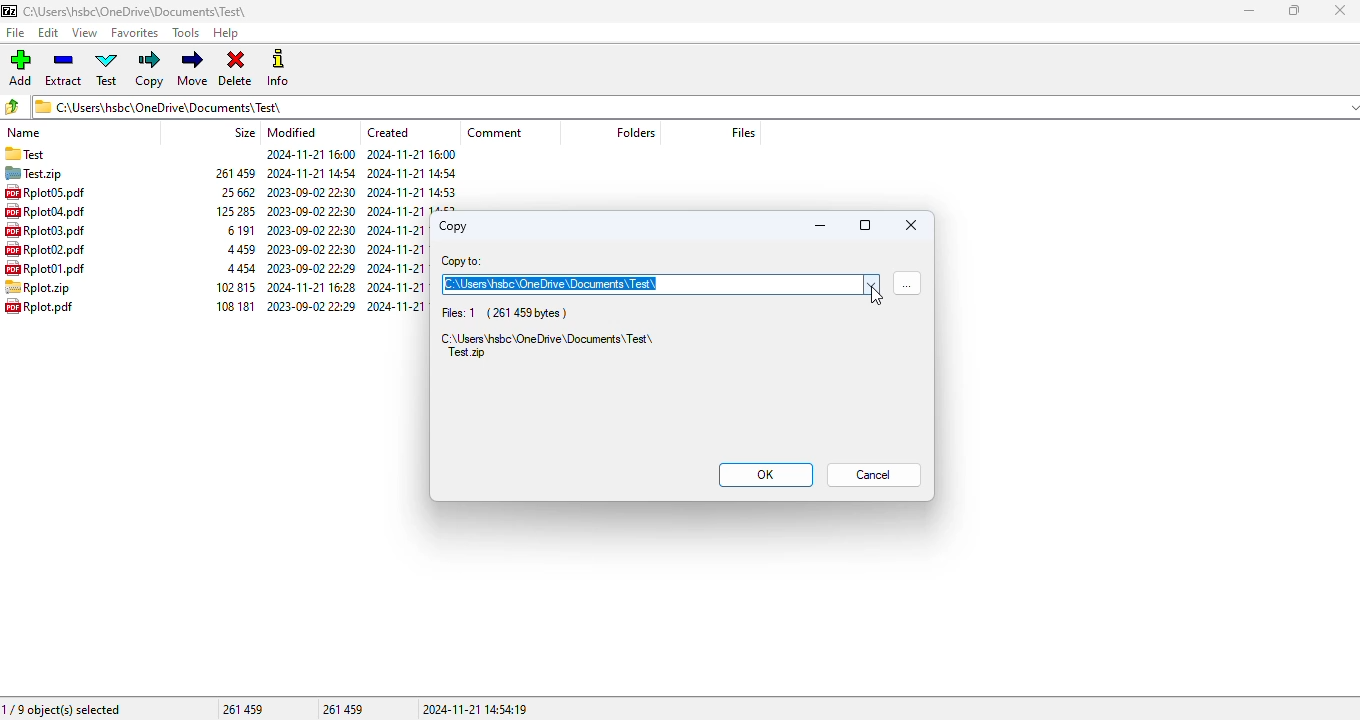  Describe the element at coordinates (243, 709) in the screenshot. I see `261 459` at that location.